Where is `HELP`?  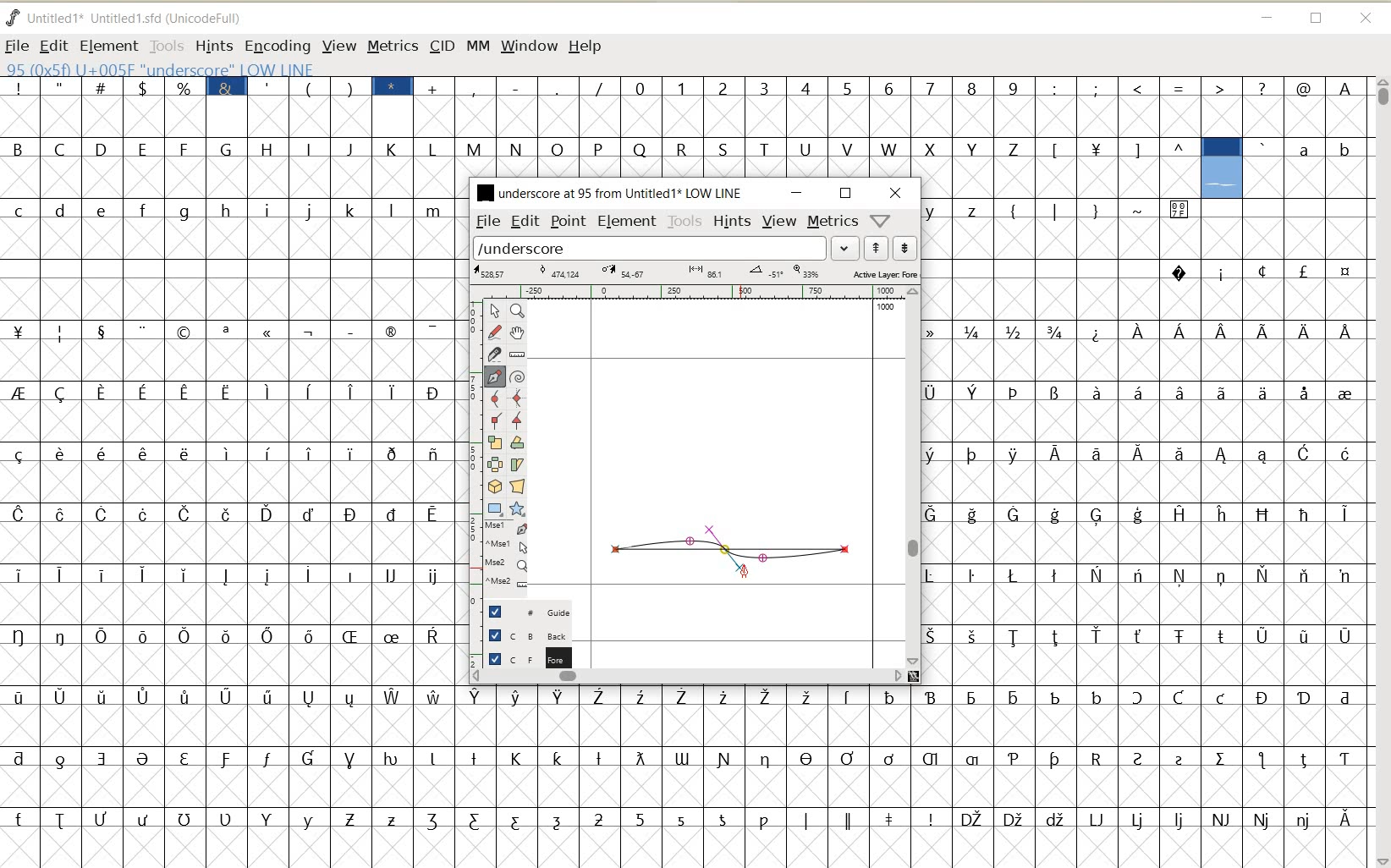
HELP is located at coordinates (587, 47).